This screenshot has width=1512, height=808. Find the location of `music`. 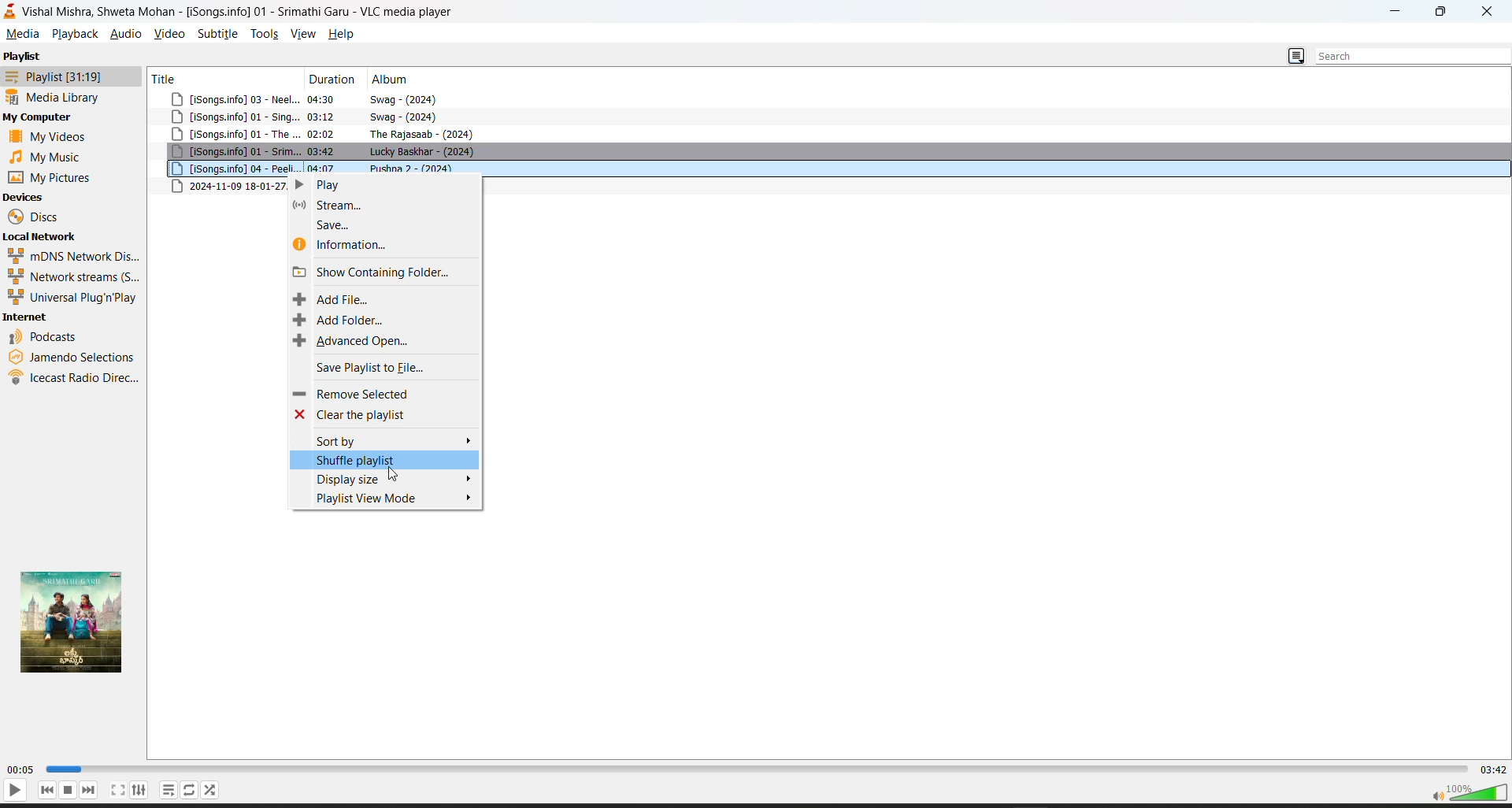

music is located at coordinates (47, 157).